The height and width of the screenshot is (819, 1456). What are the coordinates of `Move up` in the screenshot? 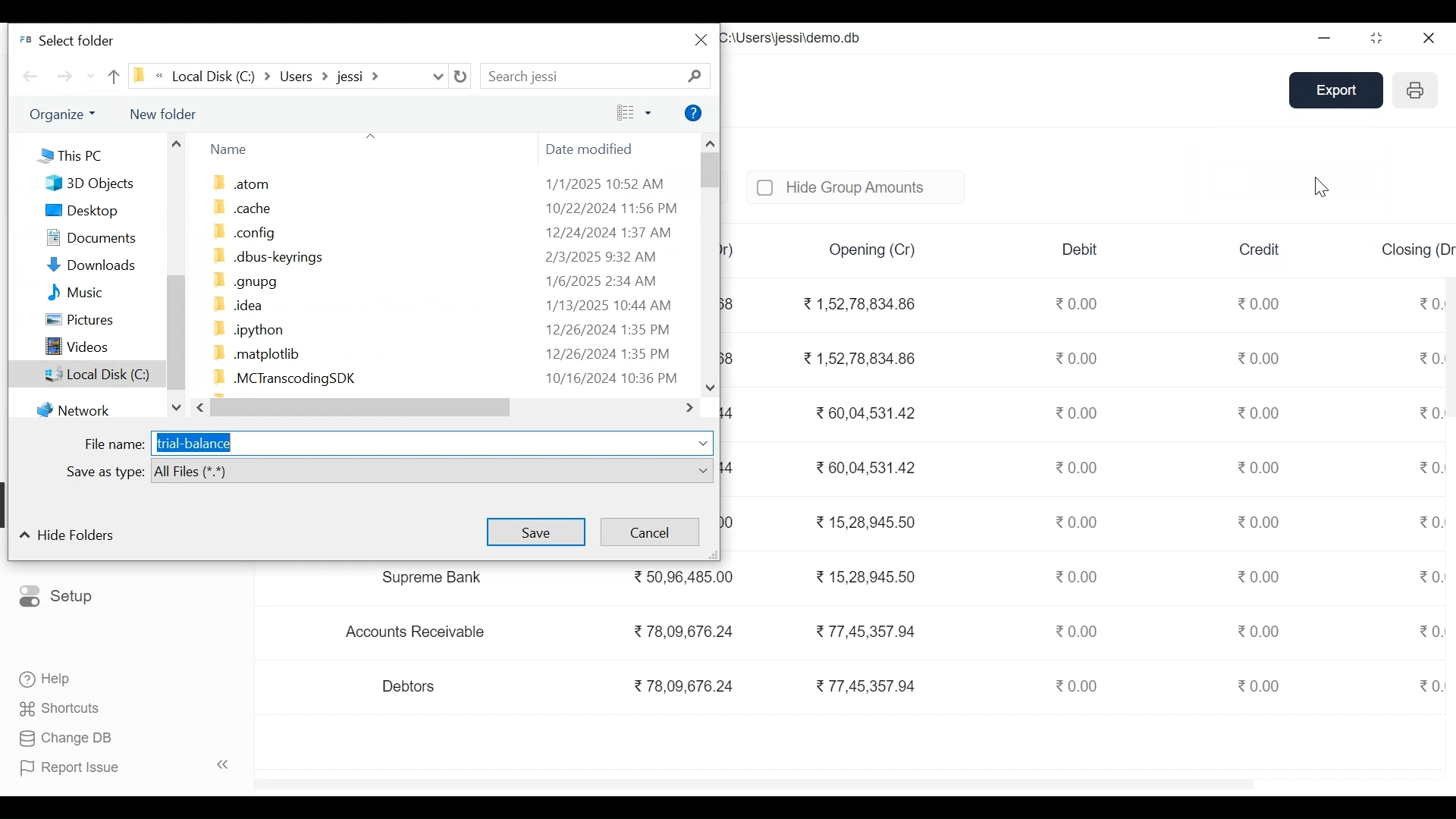 It's located at (114, 76).